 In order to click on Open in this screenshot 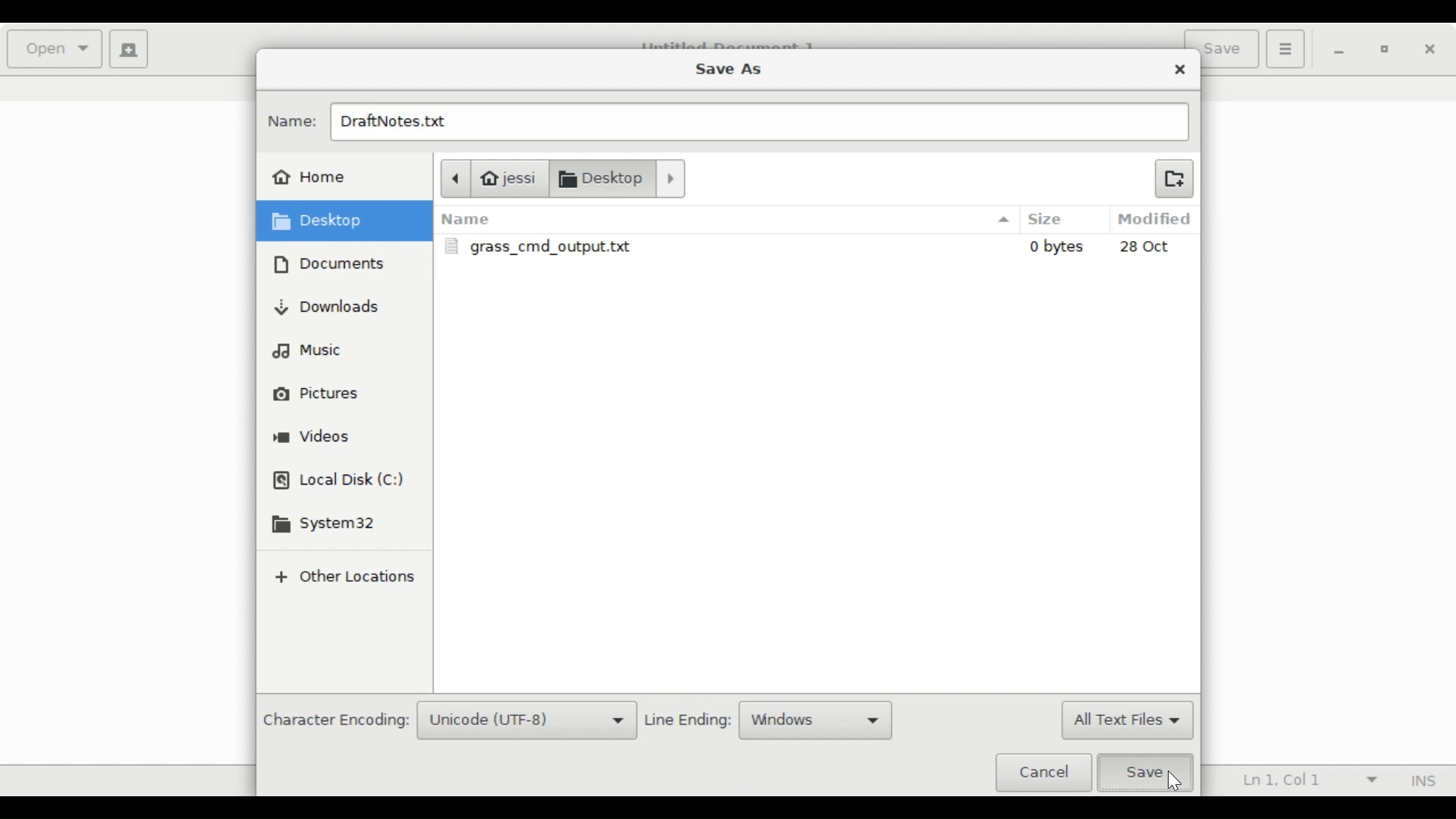, I will do `click(56, 49)`.